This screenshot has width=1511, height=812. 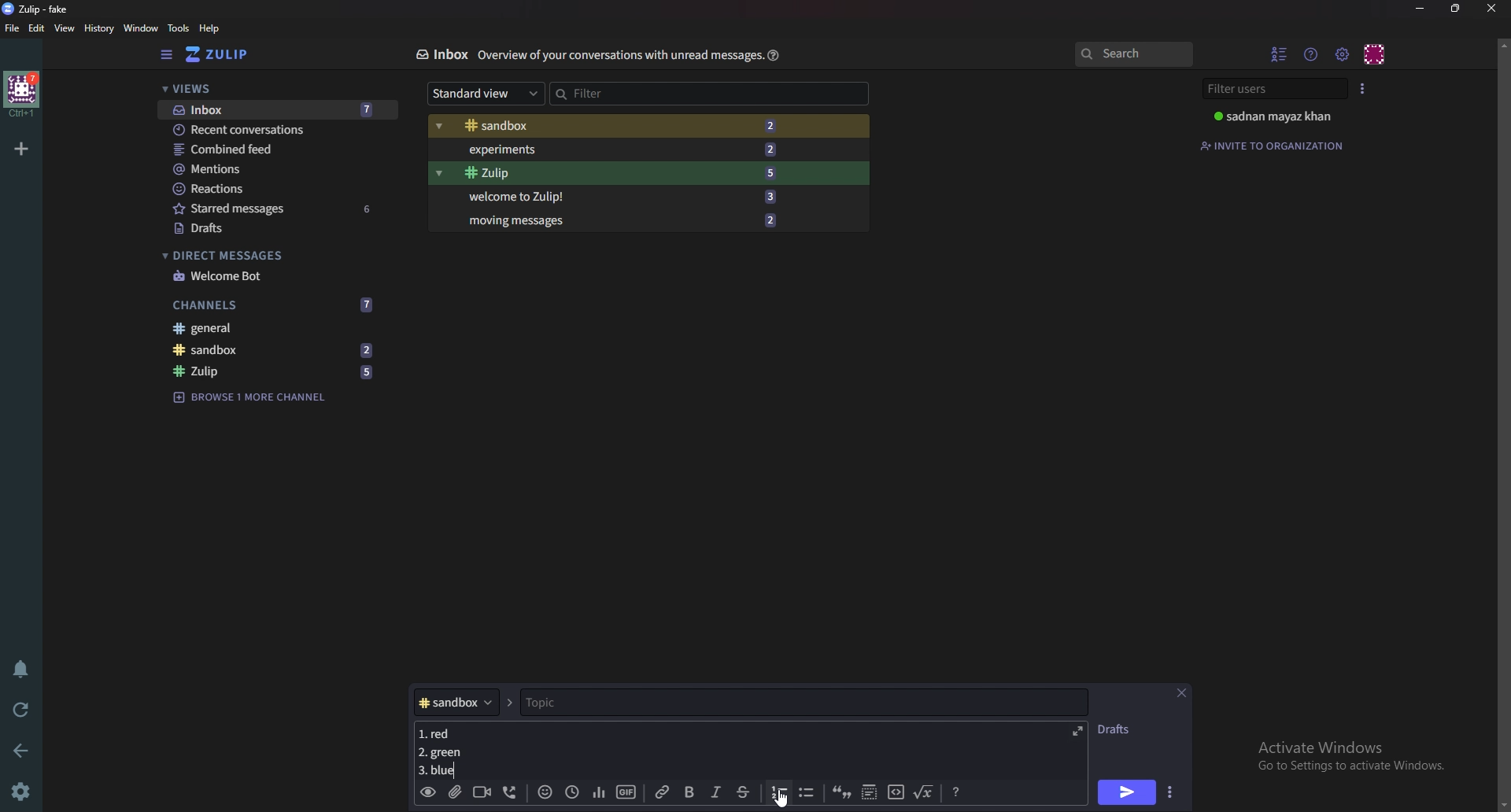 I want to click on Home view, so click(x=228, y=54).